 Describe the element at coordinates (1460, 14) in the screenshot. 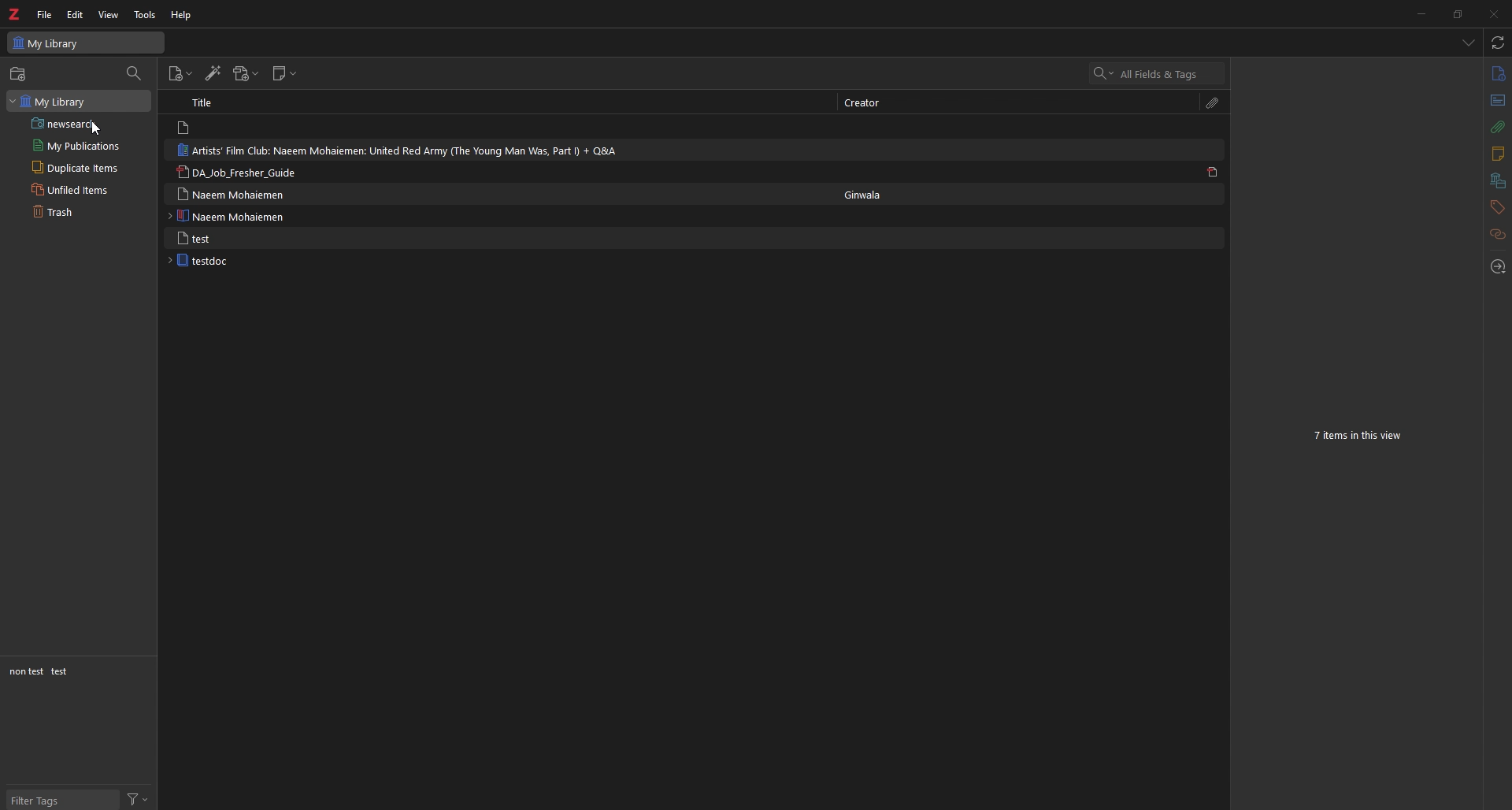

I see `restore` at that location.